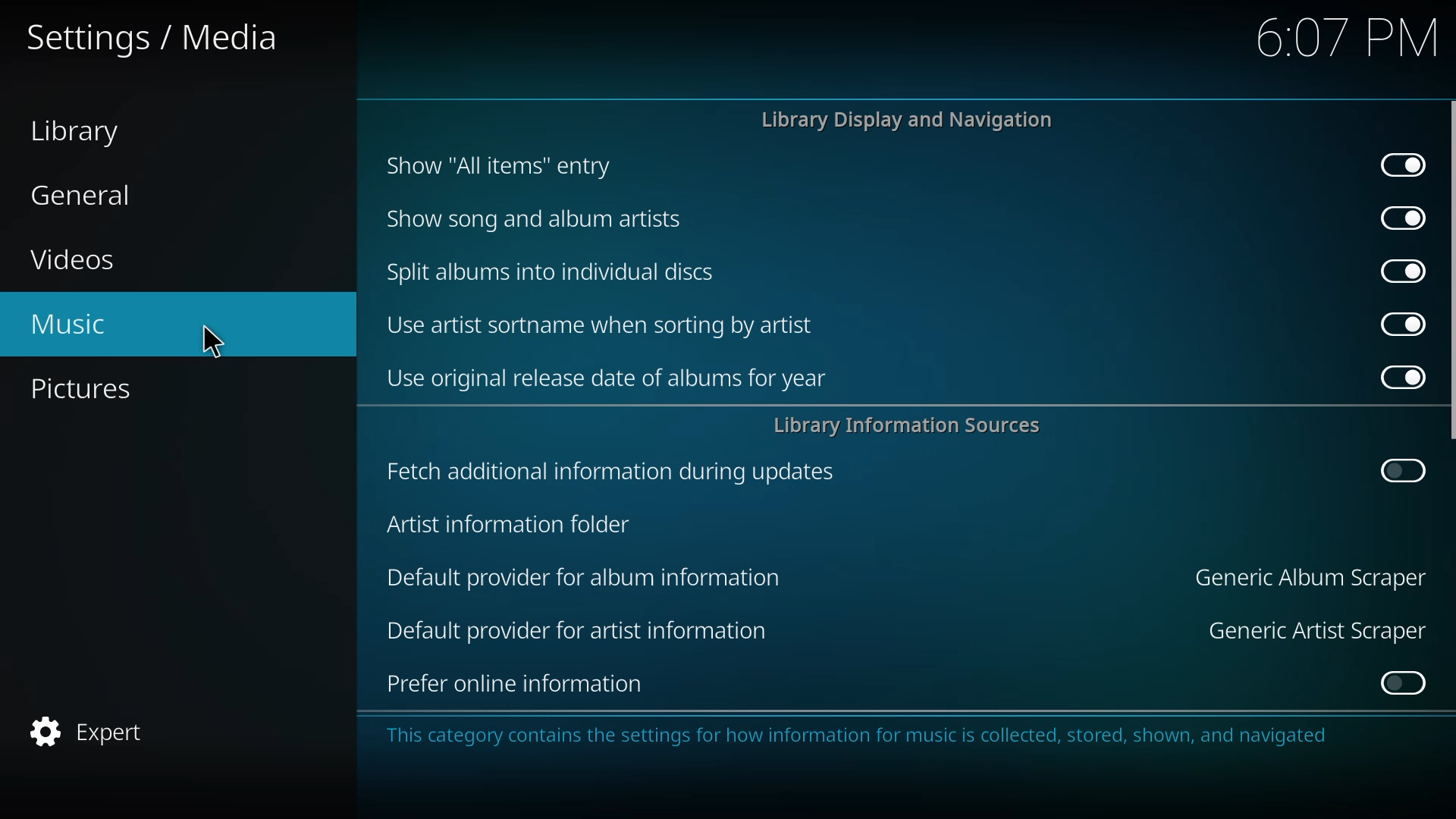 This screenshot has height=819, width=1456. I want to click on library info source, so click(916, 425).